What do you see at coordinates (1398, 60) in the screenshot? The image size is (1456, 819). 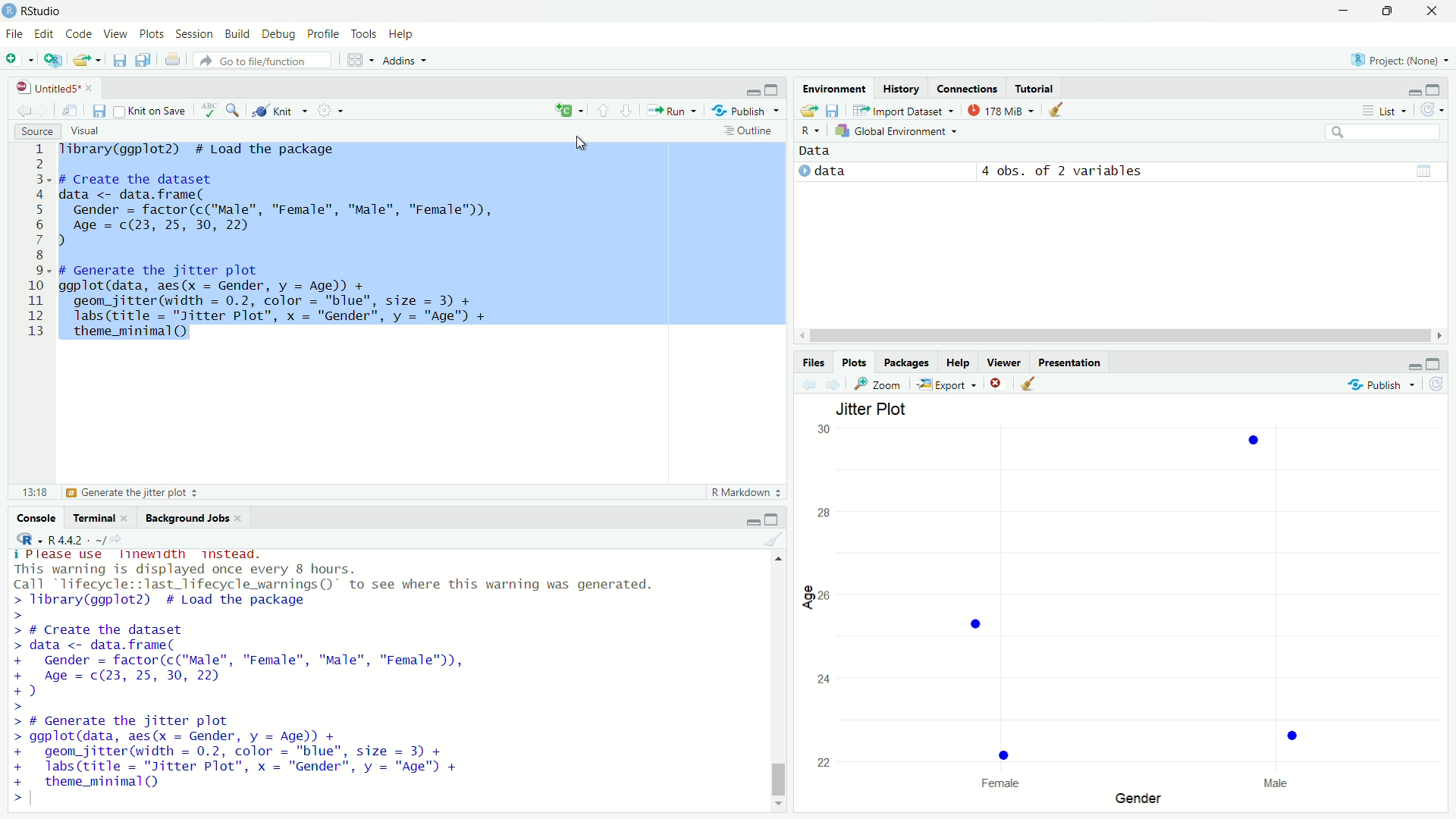 I see `project: (None)` at bounding box center [1398, 60].